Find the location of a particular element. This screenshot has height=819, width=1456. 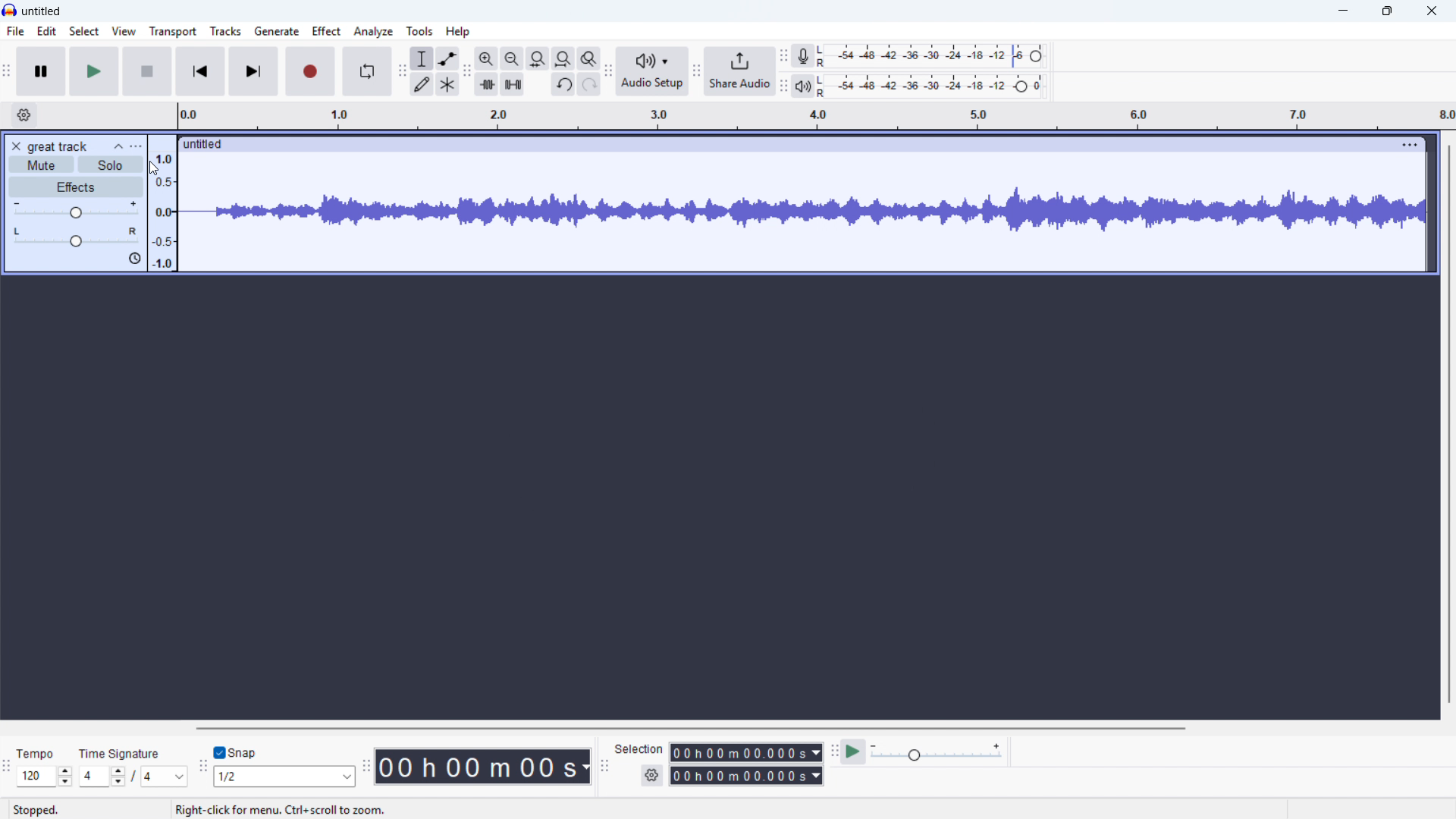

Audio setup toolbar  is located at coordinates (607, 72).